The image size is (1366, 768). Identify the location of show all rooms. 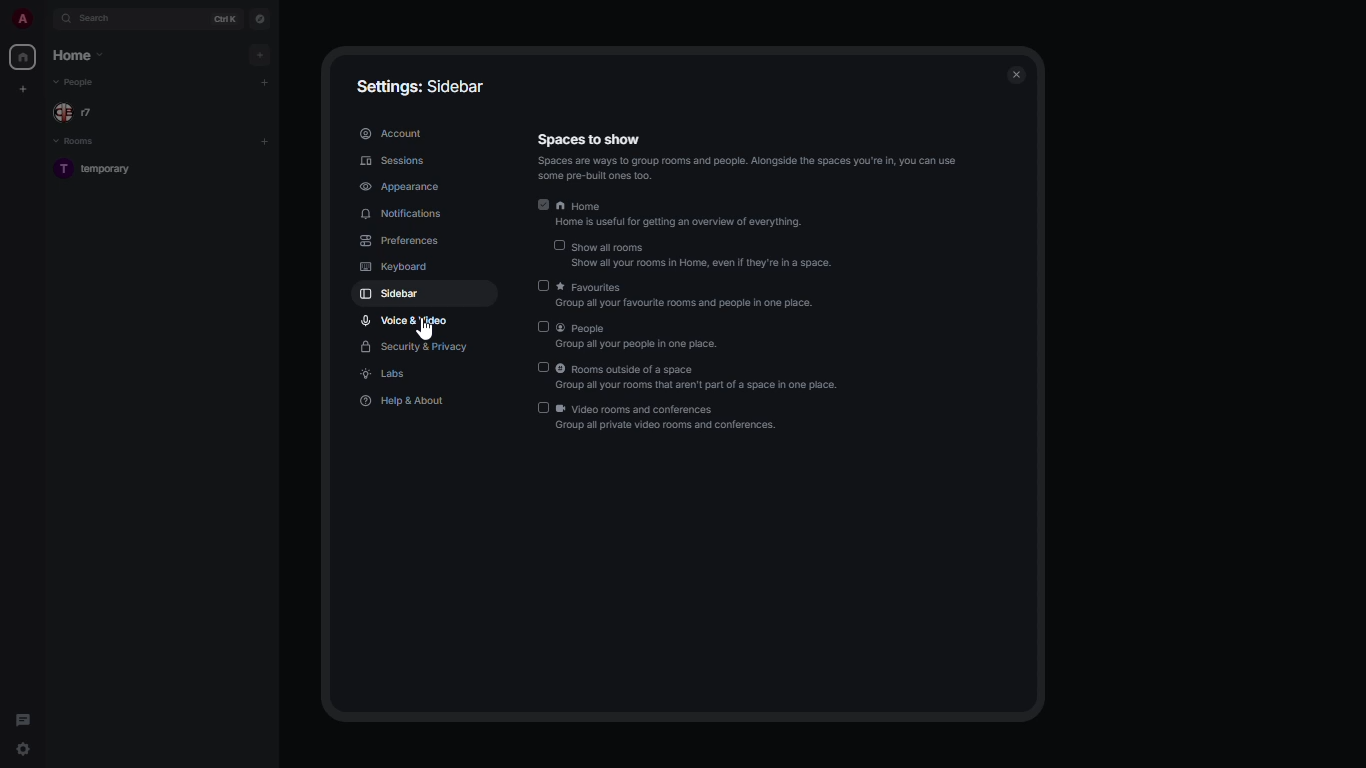
(701, 256).